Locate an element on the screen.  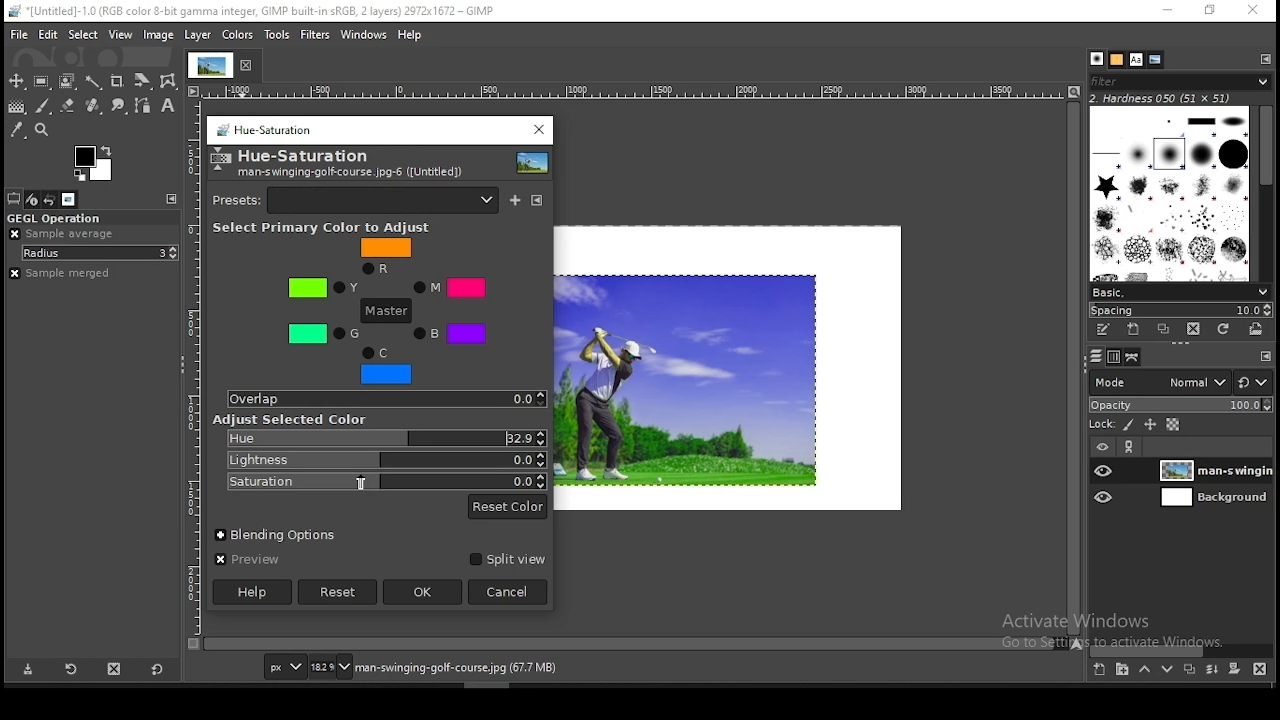
B is located at coordinates (452, 333).